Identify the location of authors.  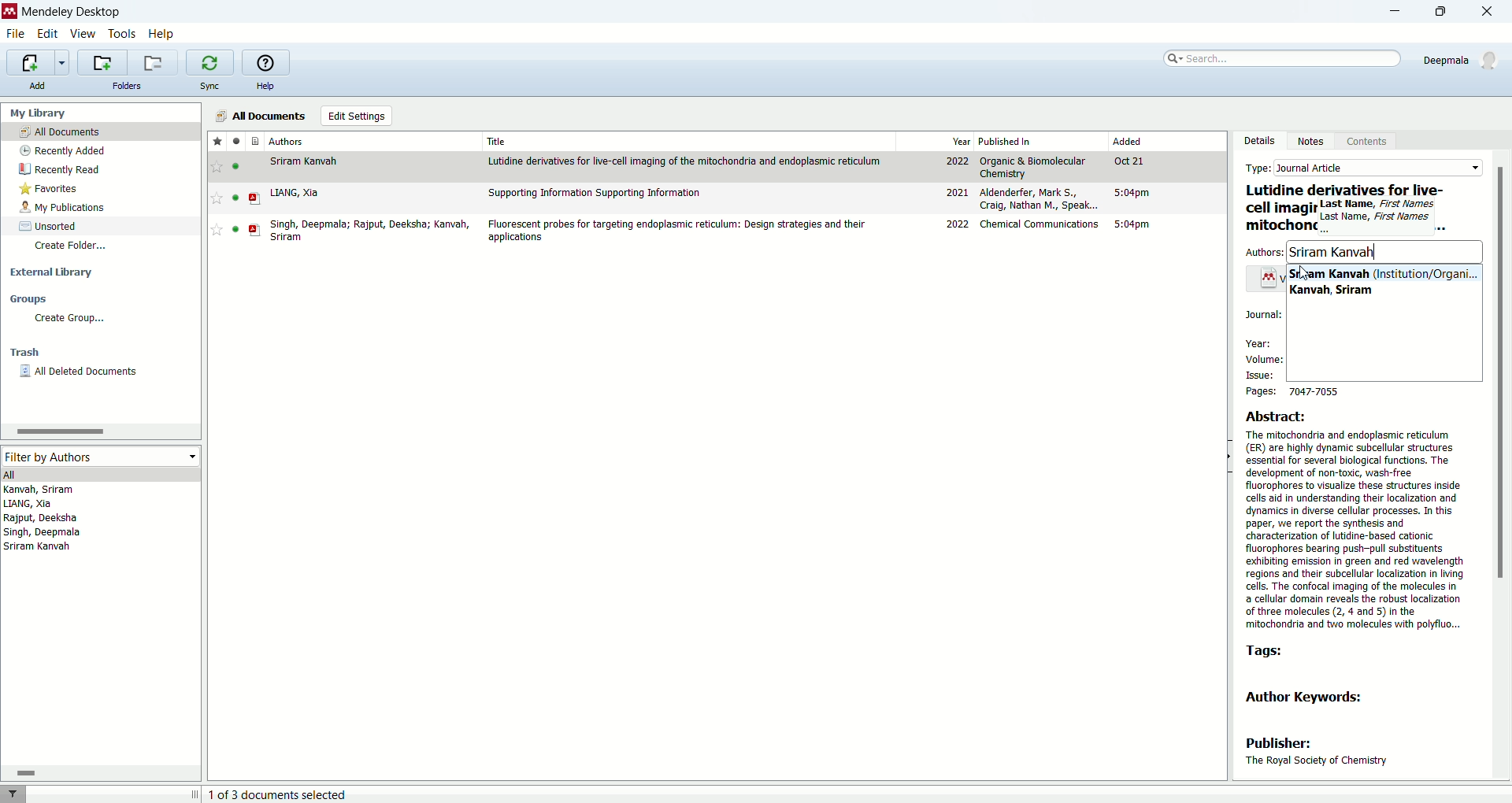
(1267, 251).